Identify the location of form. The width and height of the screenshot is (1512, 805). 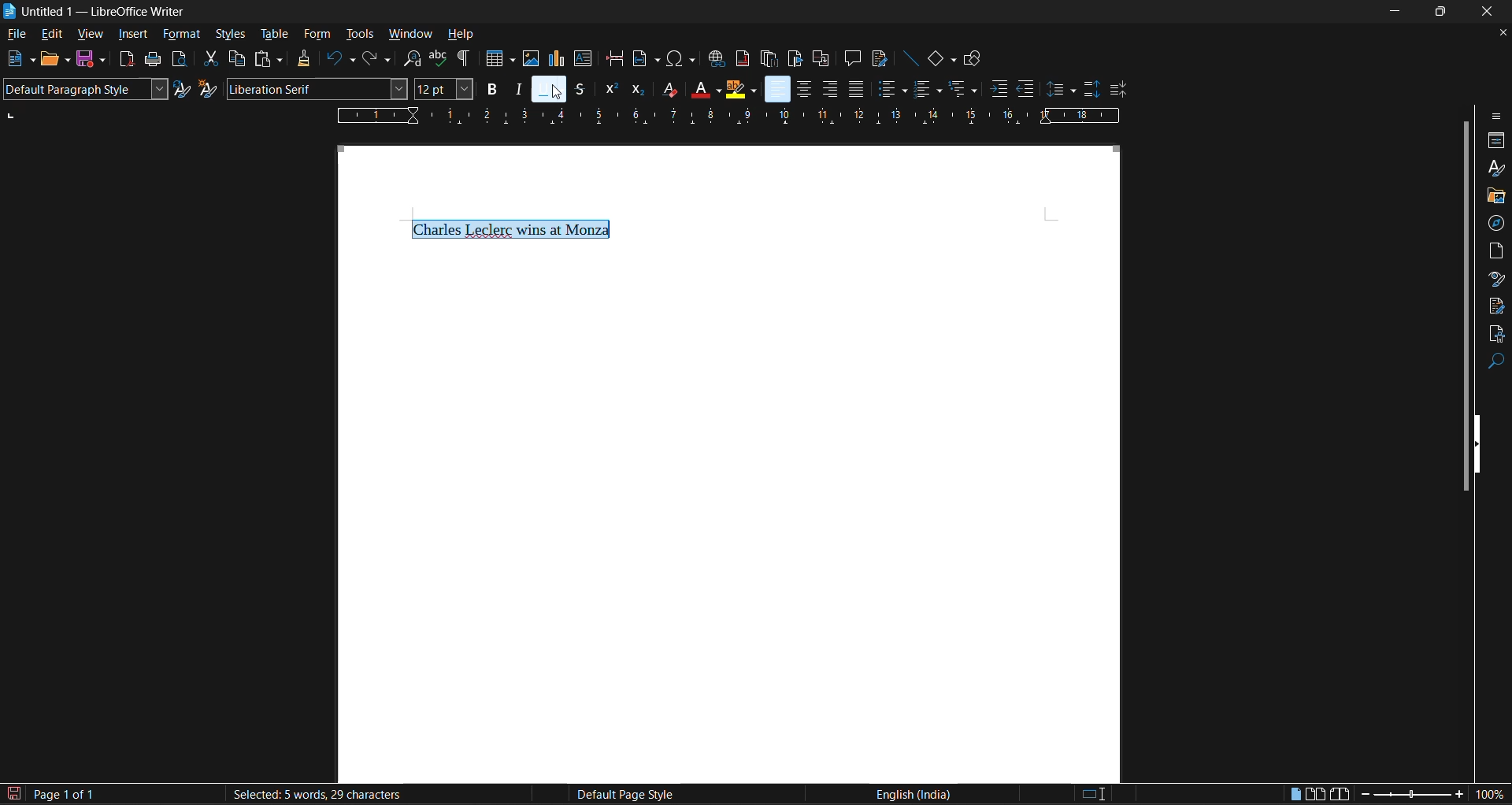
(319, 35).